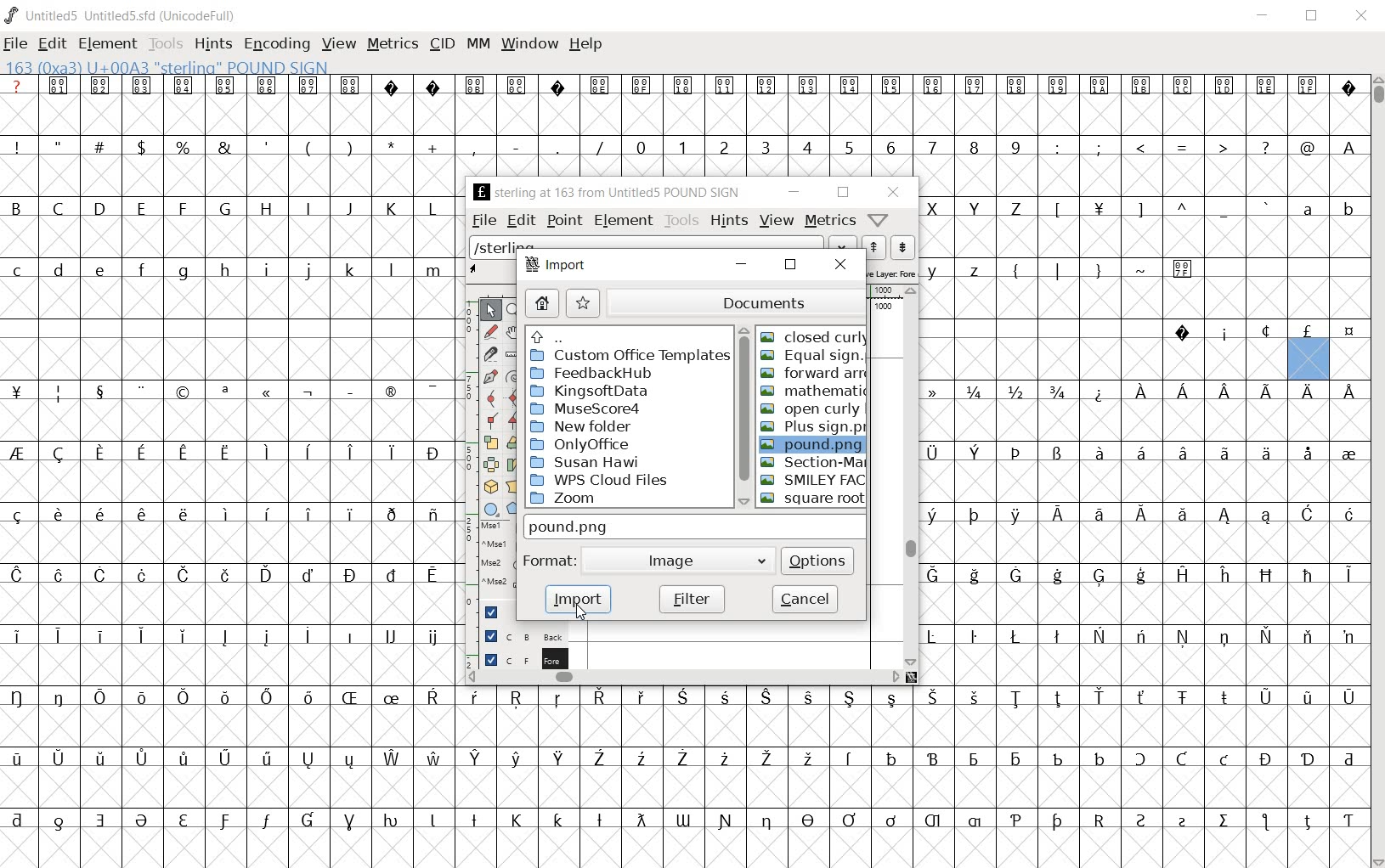 The image size is (1385, 868). What do you see at coordinates (879, 220) in the screenshot?
I see `Help/Window` at bounding box center [879, 220].